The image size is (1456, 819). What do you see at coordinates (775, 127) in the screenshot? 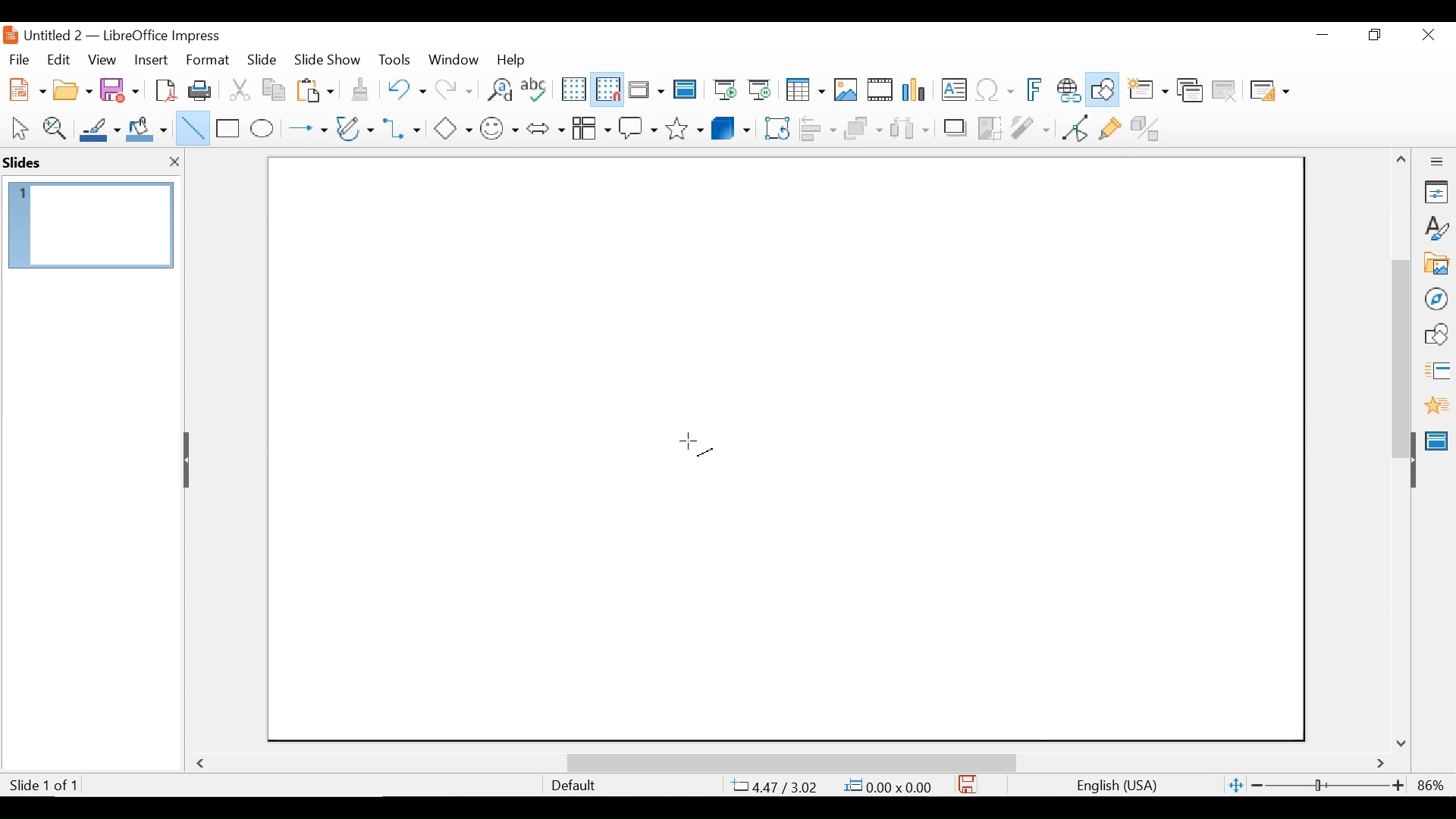
I see `Rotate` at bounding box center [775, 127].